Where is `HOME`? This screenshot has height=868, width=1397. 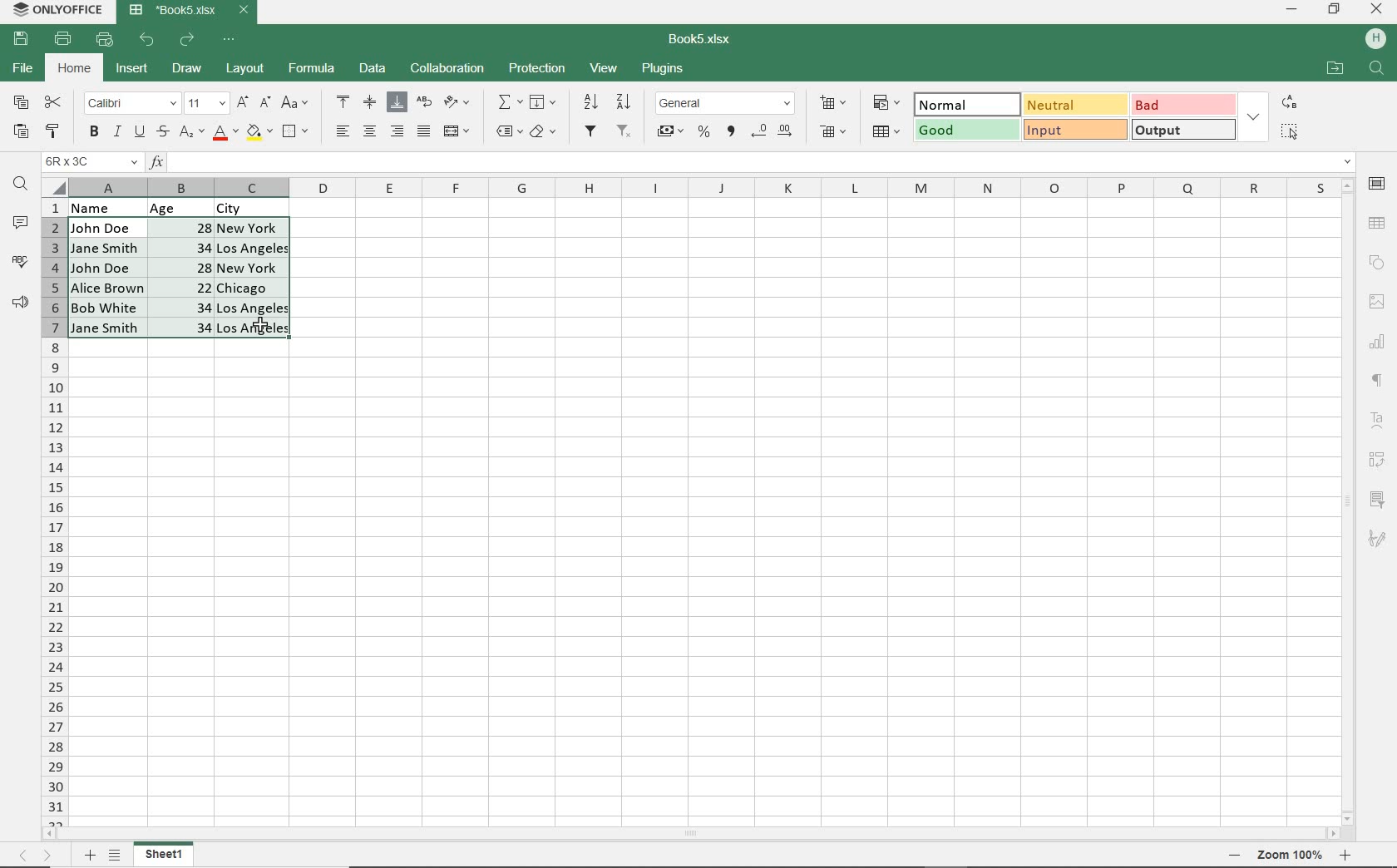 HOME is located at coordinates (76, 70).